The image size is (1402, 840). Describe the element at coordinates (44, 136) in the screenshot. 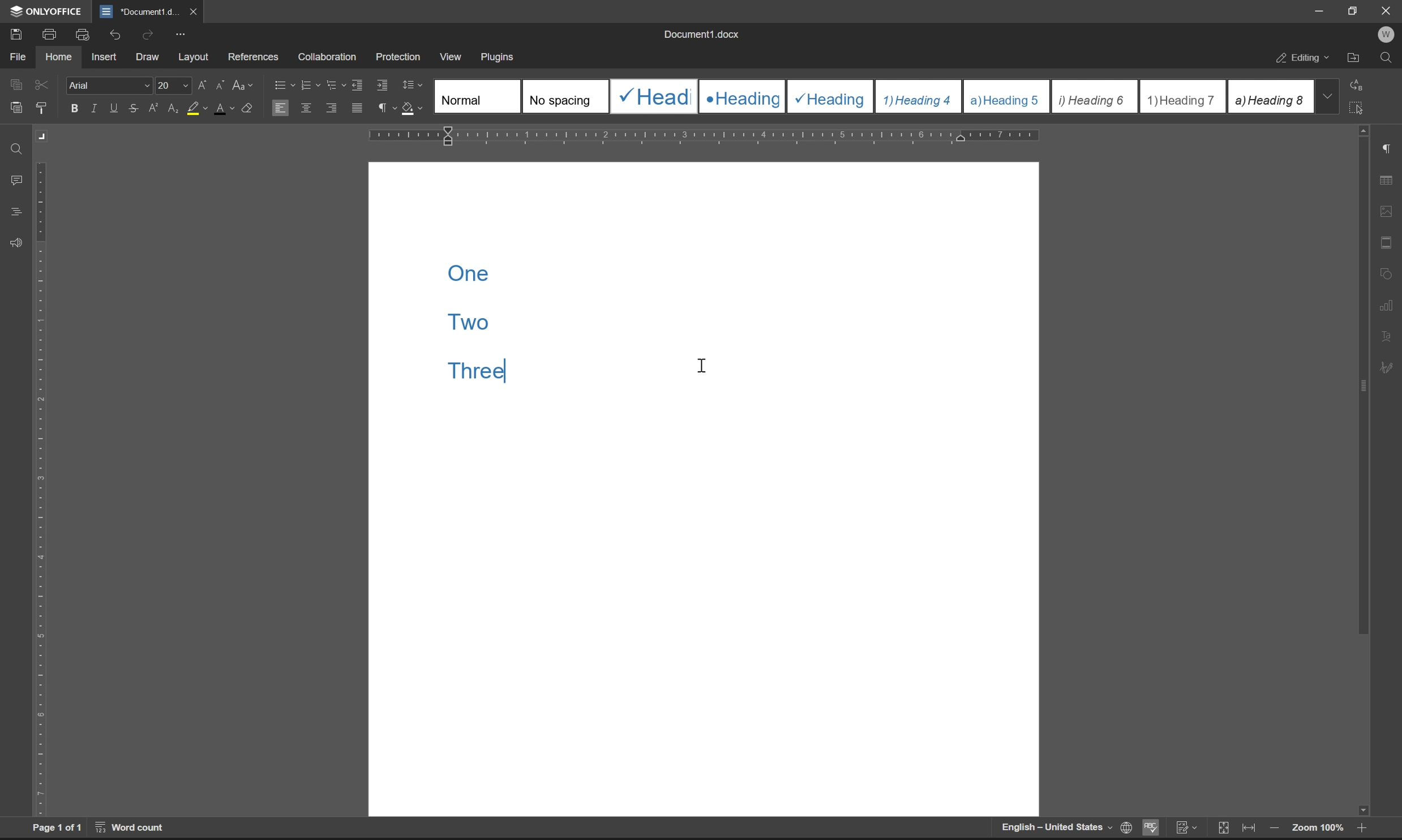

I see `Margin` at that location.